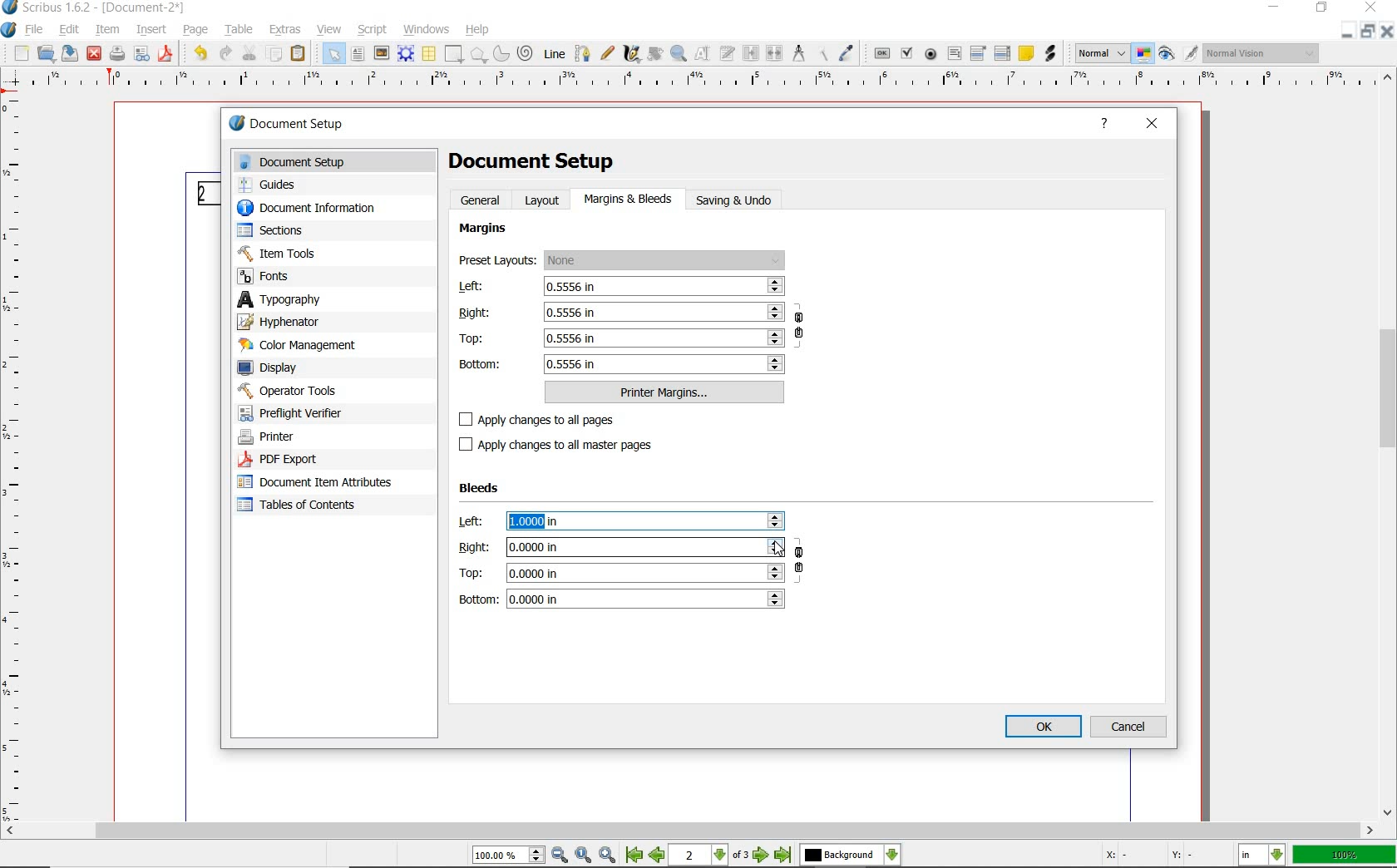  Describe the element at coordinates (1026, 54) in the screenshot. I see `text annotation` at that location.